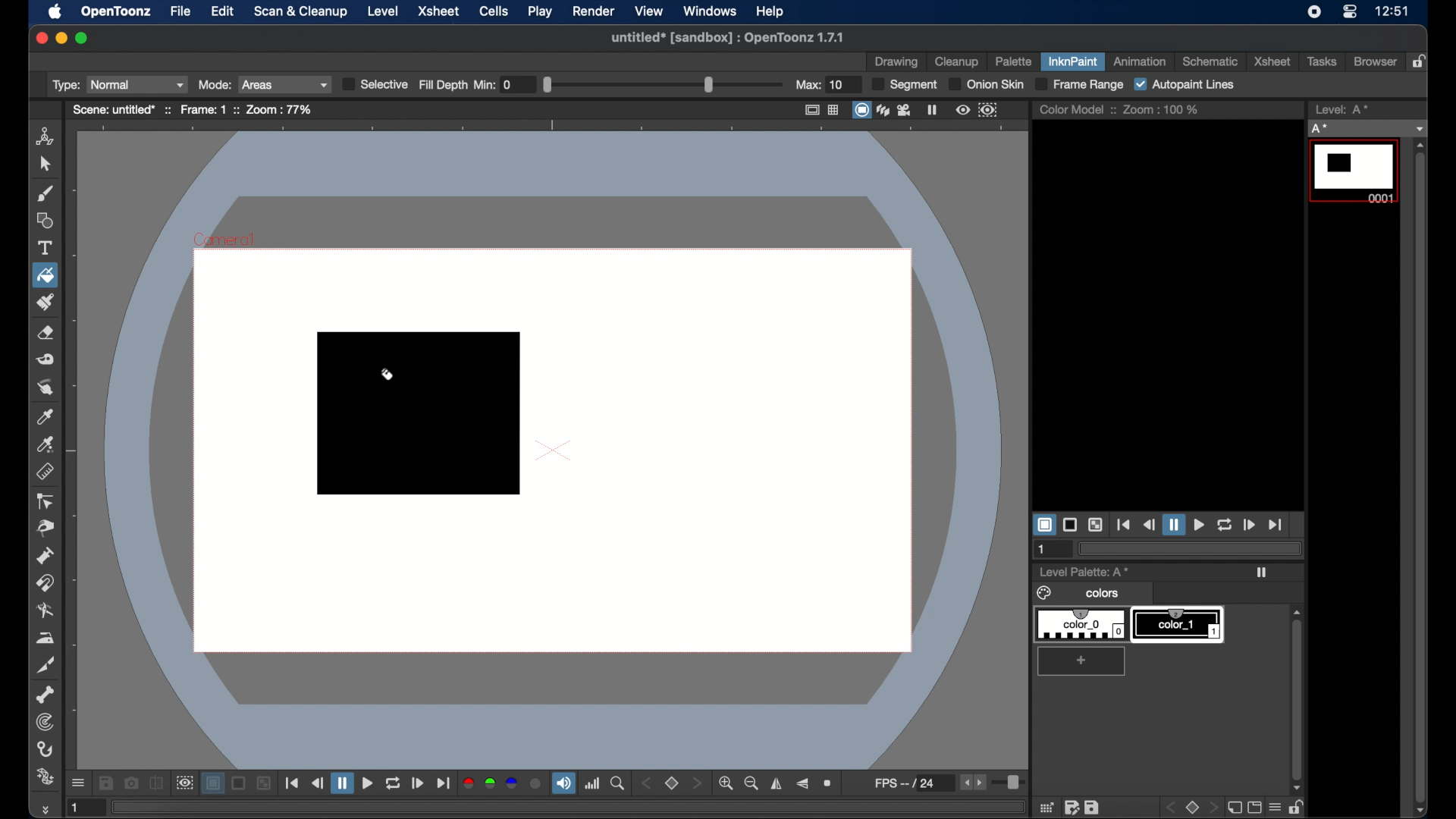 The height and width of the screenshot is (819, 1456). I want to click on play button, so click(368, 784).